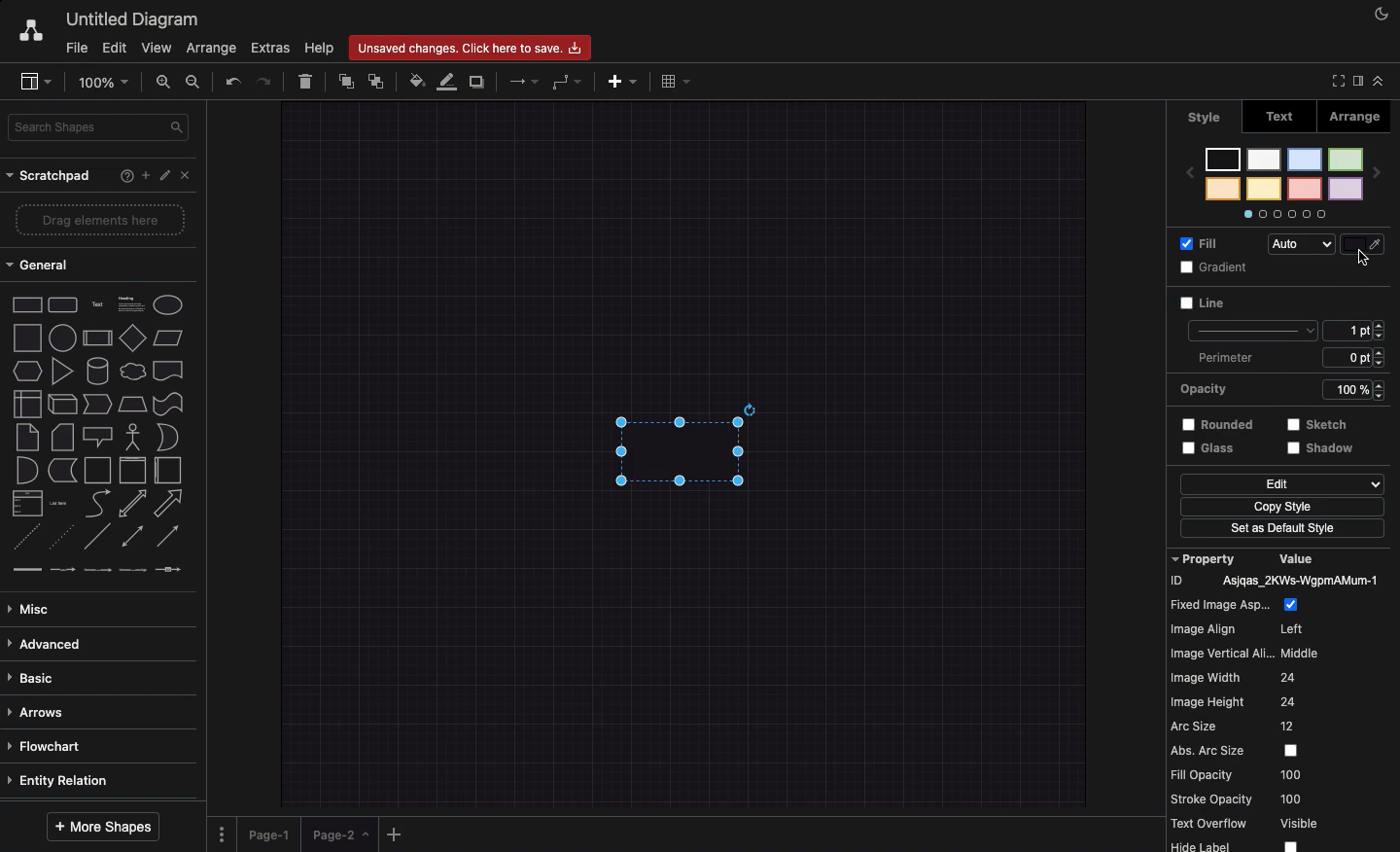  I want to click on Delete, so click(307, 79).